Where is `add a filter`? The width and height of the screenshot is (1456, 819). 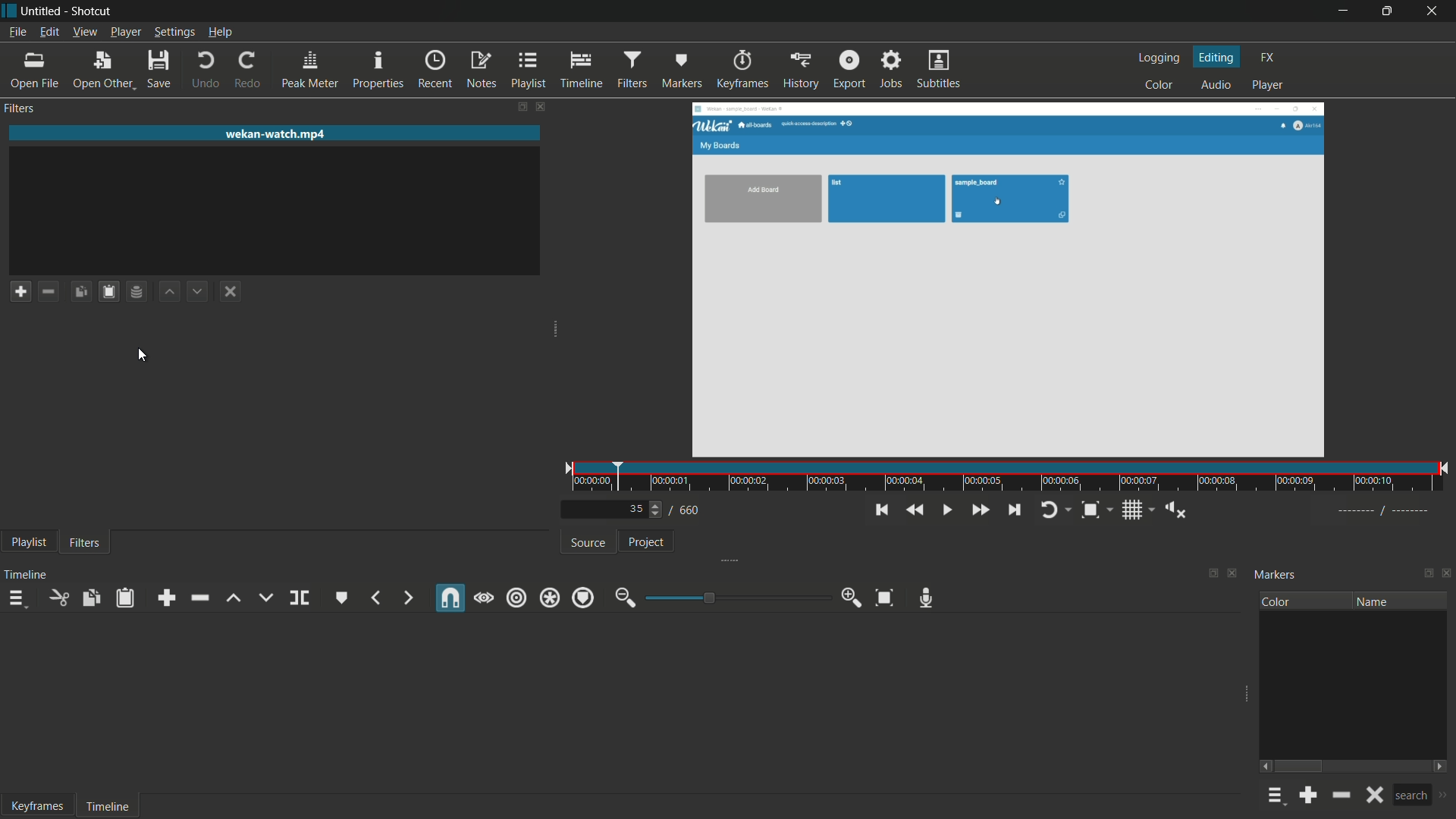
add a filter is located at coordinates (19, 290).